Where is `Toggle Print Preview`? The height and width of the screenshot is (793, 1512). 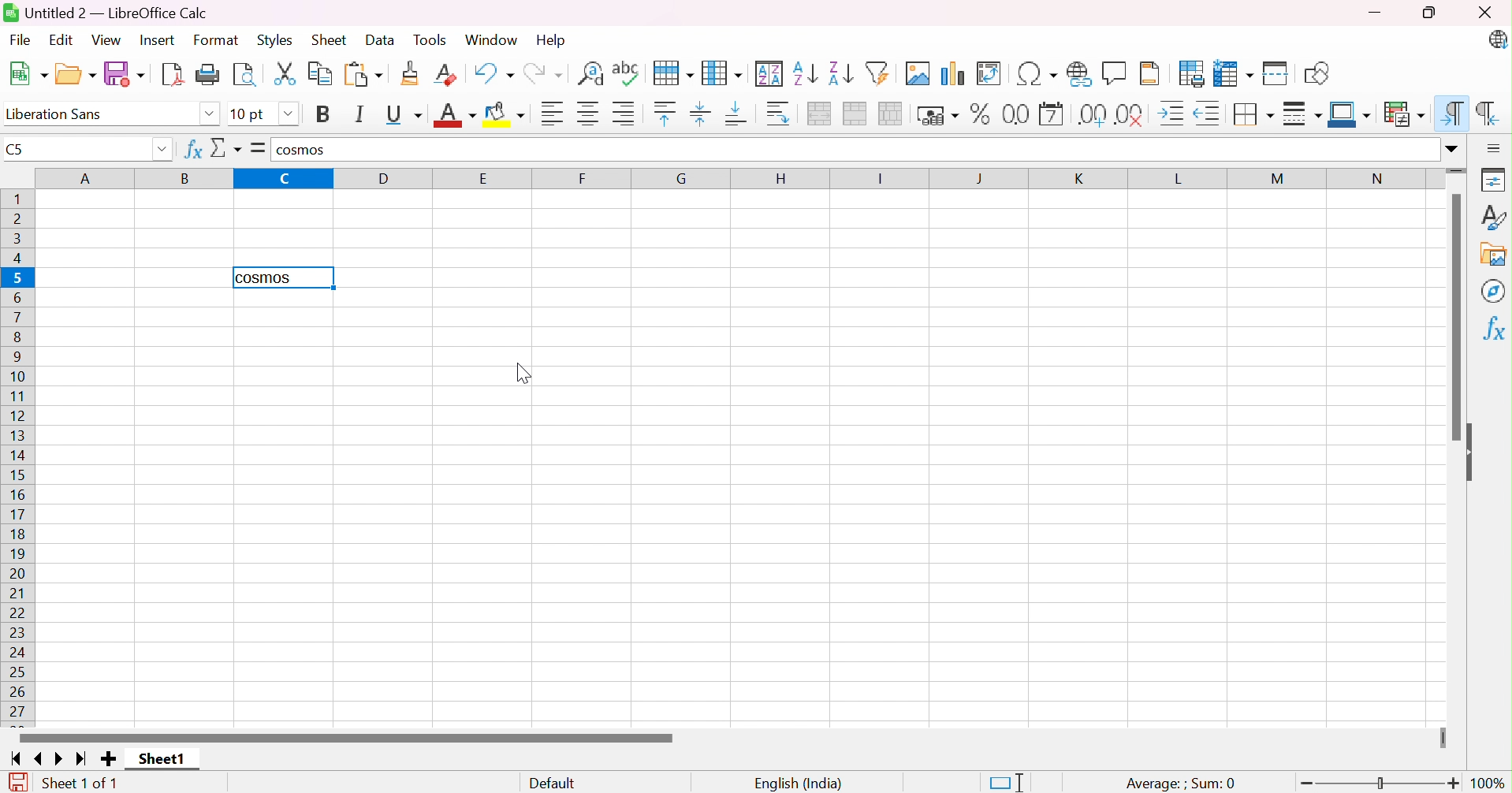 Toggle Print Preview is located at coordinates (245, 75).